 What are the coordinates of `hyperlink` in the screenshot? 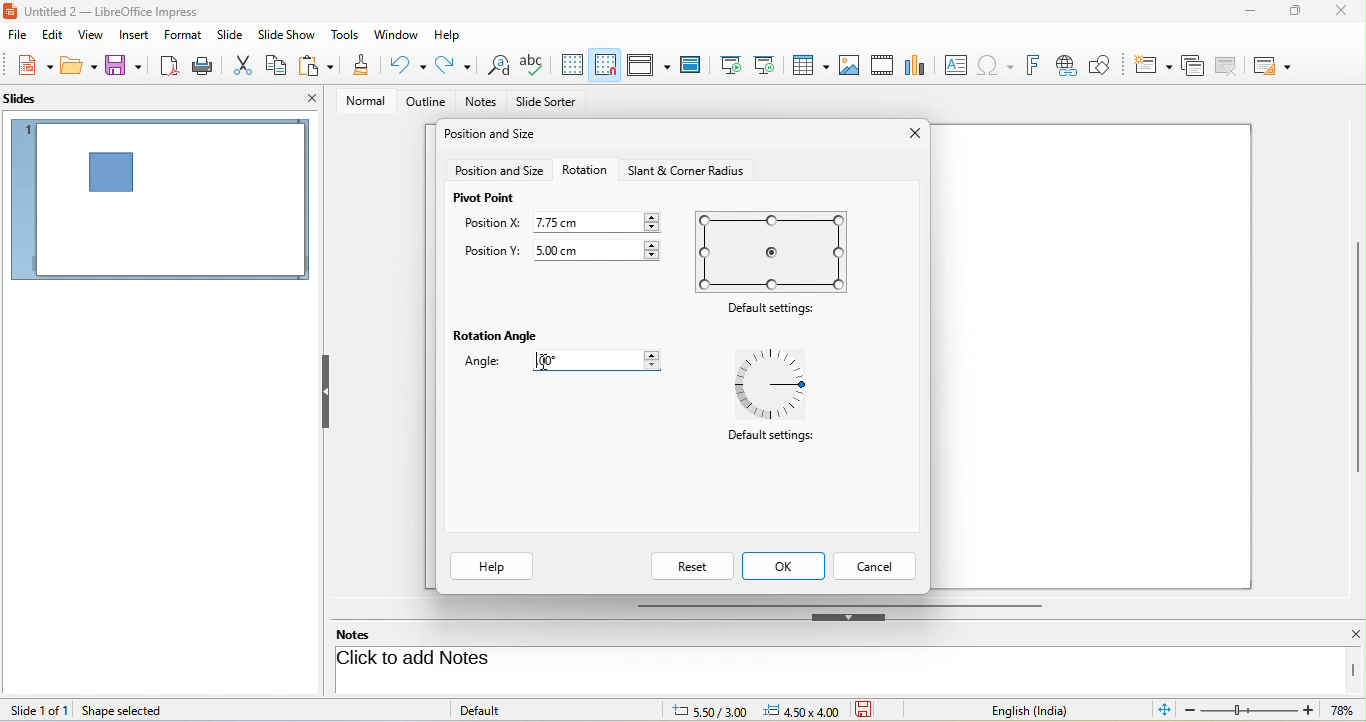 It's located at (1070, 66).